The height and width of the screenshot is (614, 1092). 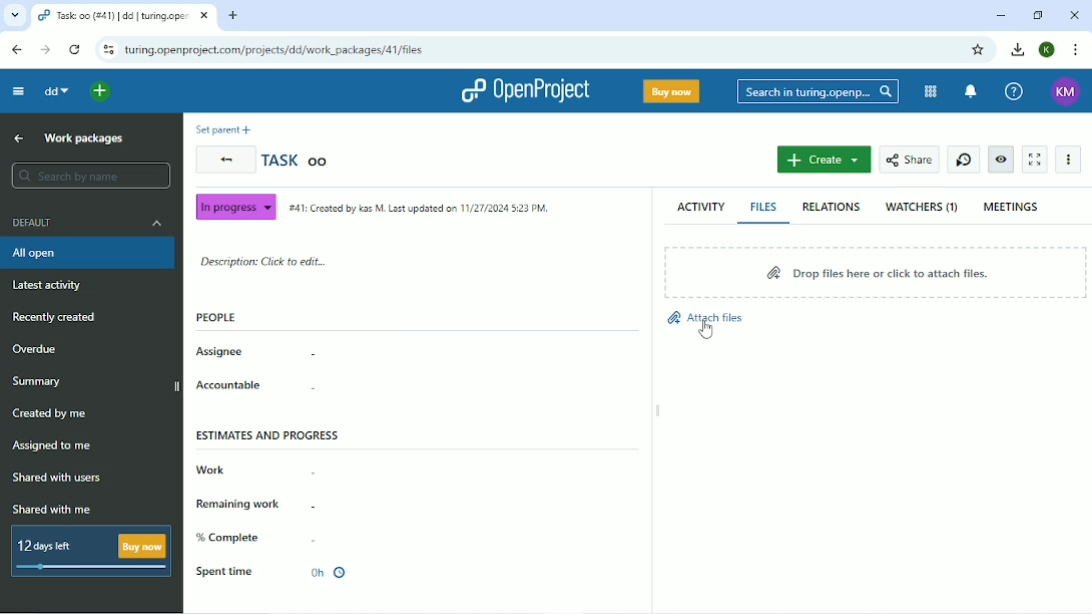 What do you see at coordinates (962, 158) in the screenshot?
I see `Set new timer` at bounding box center [962, 158].